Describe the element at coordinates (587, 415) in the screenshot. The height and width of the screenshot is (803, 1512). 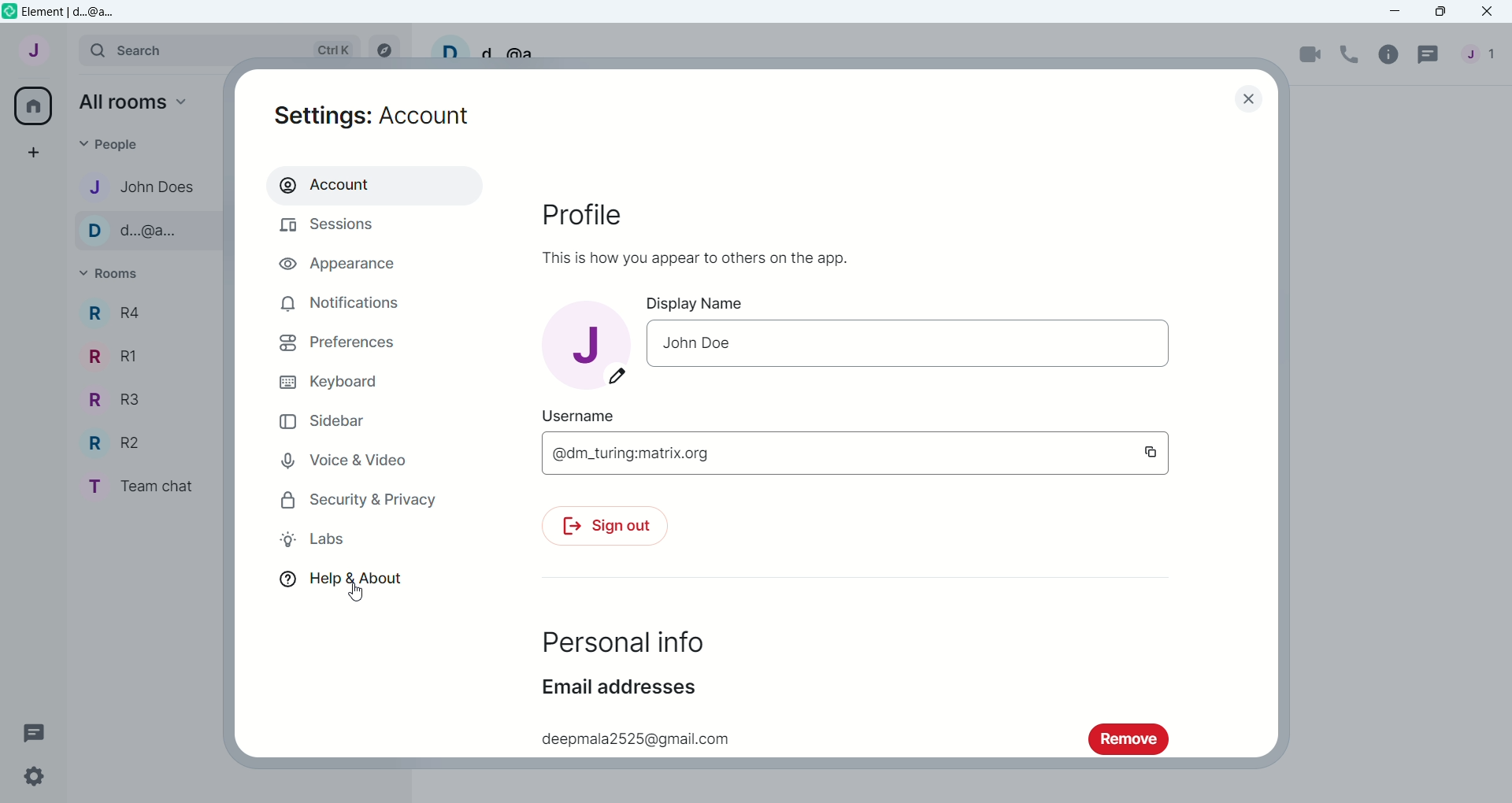
I see `Usernname` at that location.